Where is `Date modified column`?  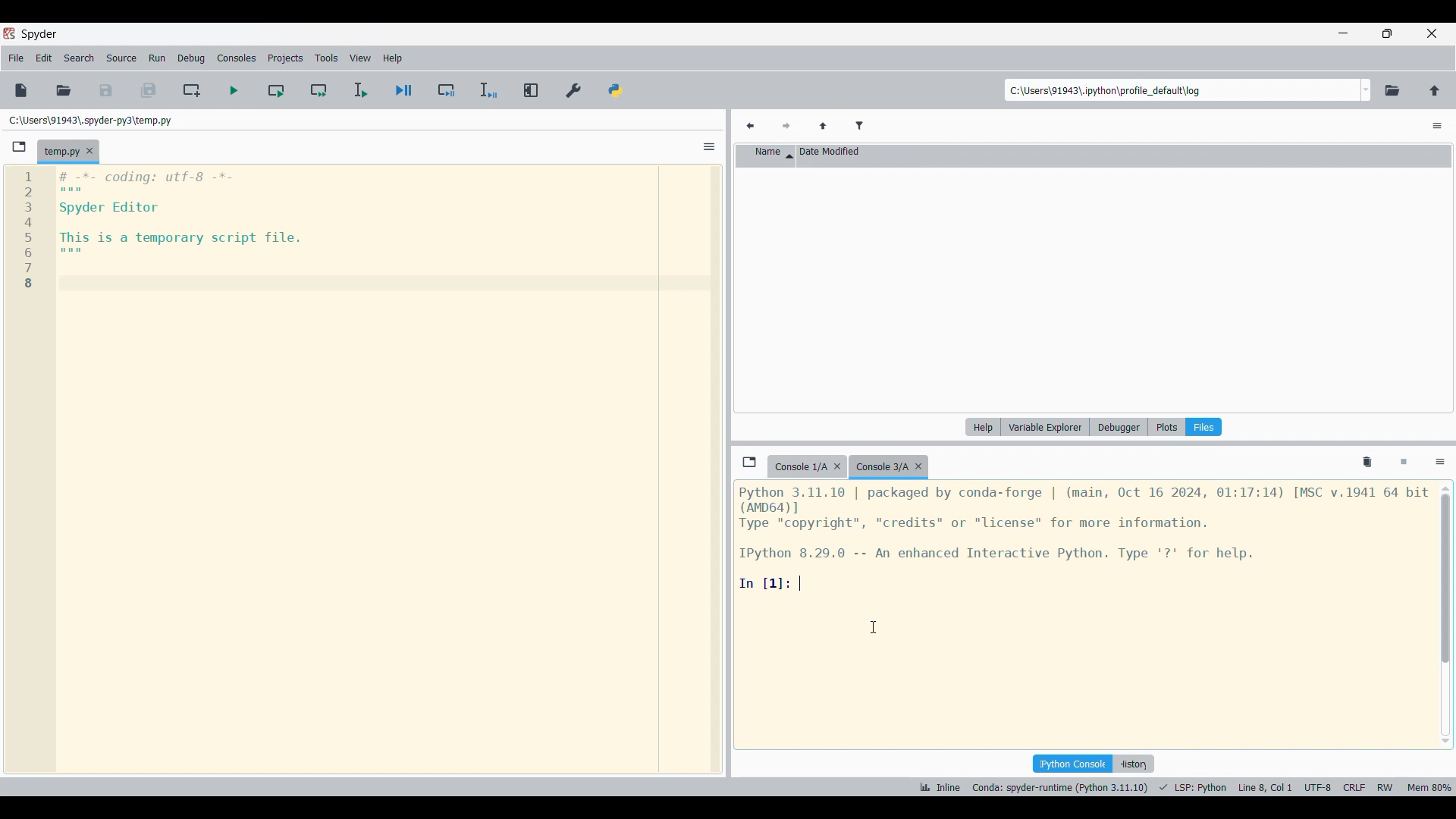 Date modified column is located at coordinates (1116, 155).